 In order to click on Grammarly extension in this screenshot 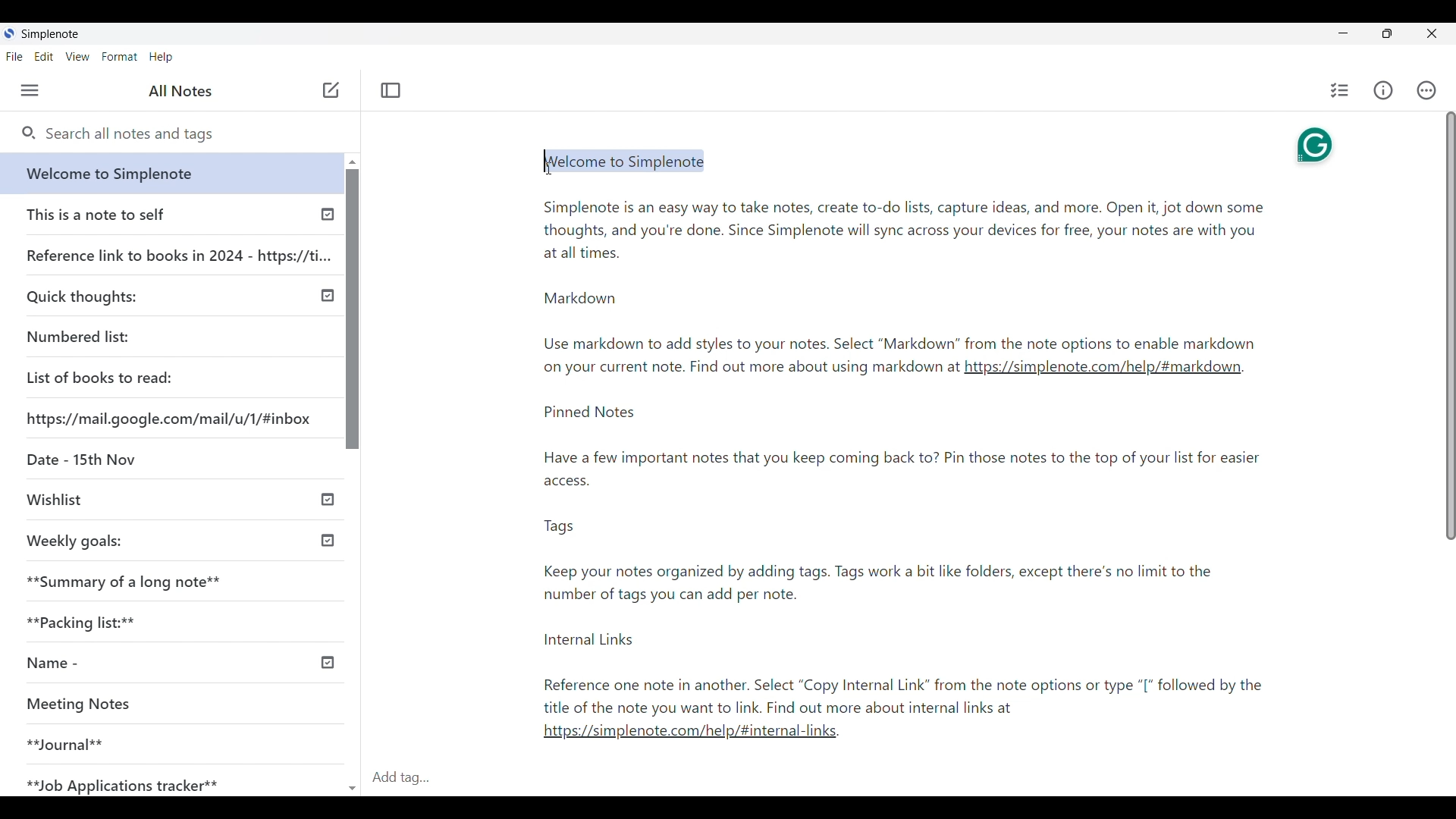, I will do `click(1313, 144)`.